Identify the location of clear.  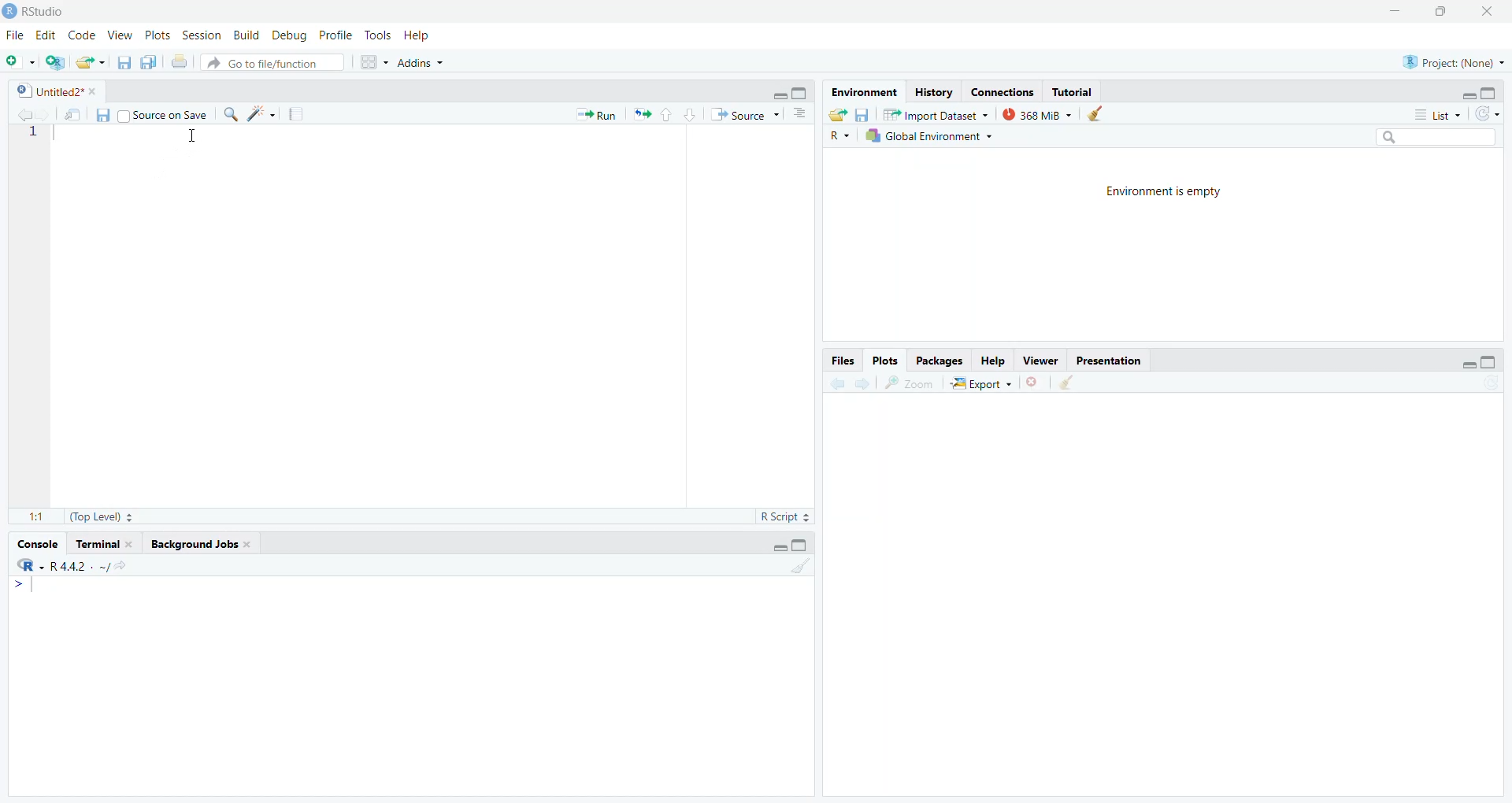
(1098, 114).